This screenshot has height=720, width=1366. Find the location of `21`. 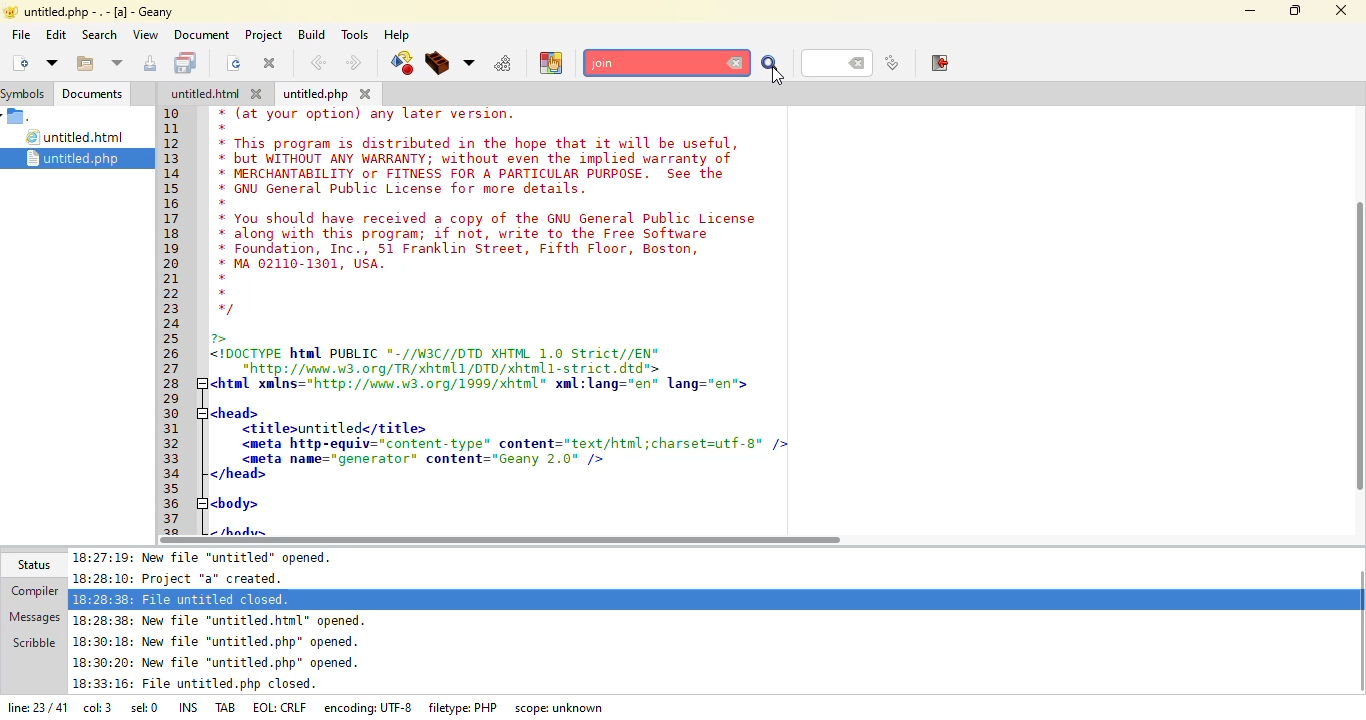

21 is located at coordinates (173, 278).